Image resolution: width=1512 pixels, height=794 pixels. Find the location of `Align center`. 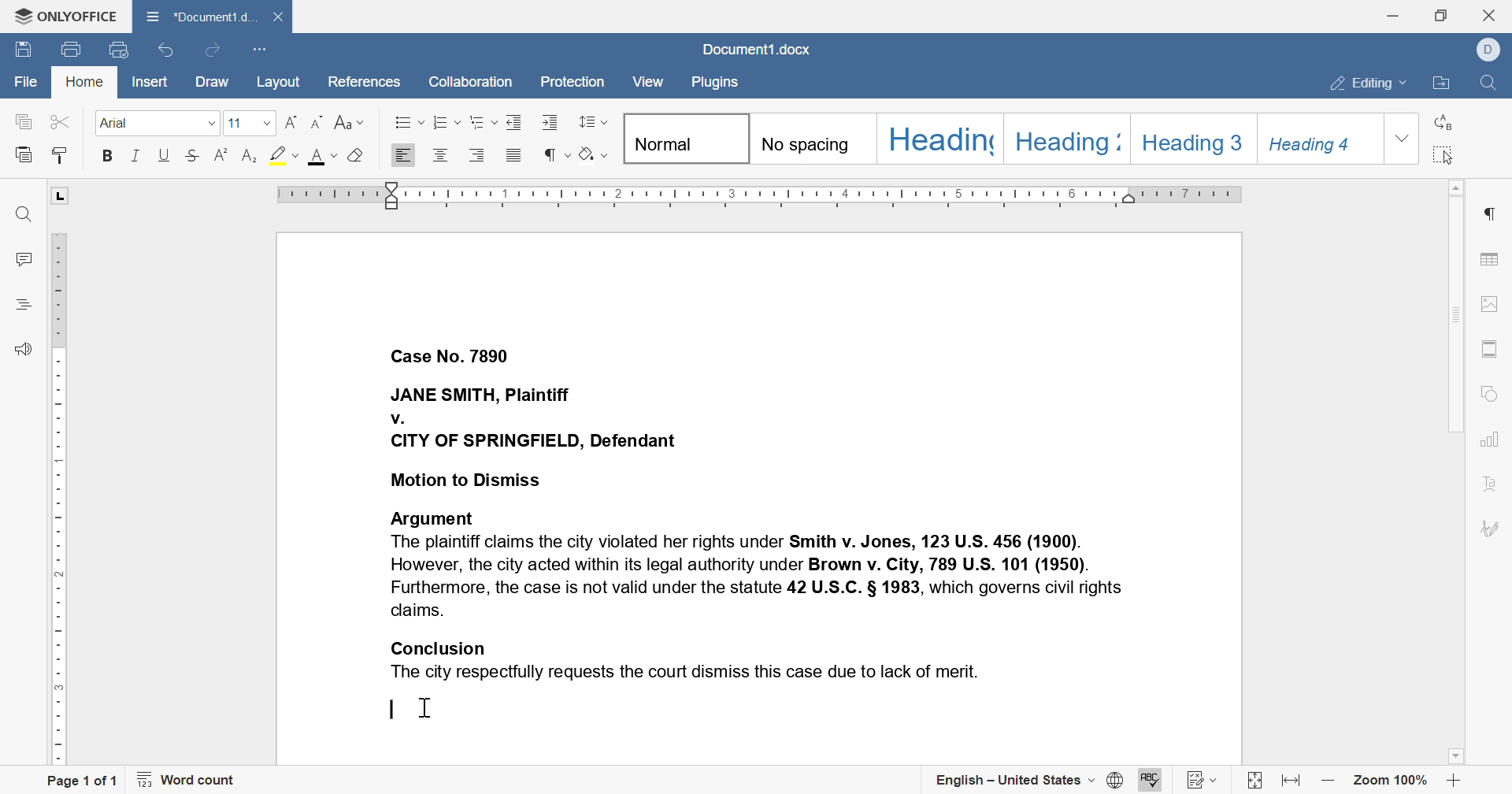

Align center is located at coordinates (440, 157).